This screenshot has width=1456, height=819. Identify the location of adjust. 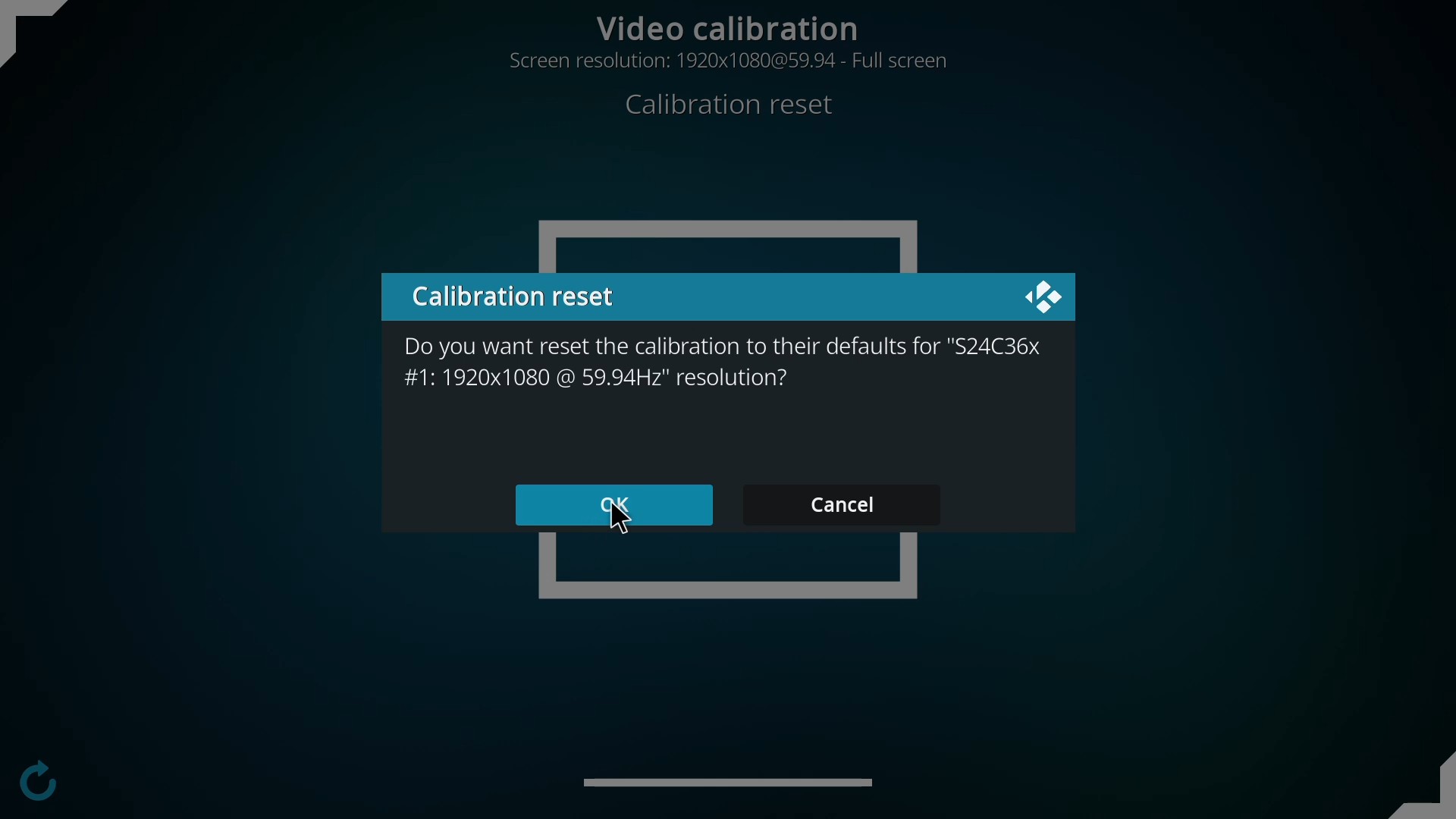
(51, 34).